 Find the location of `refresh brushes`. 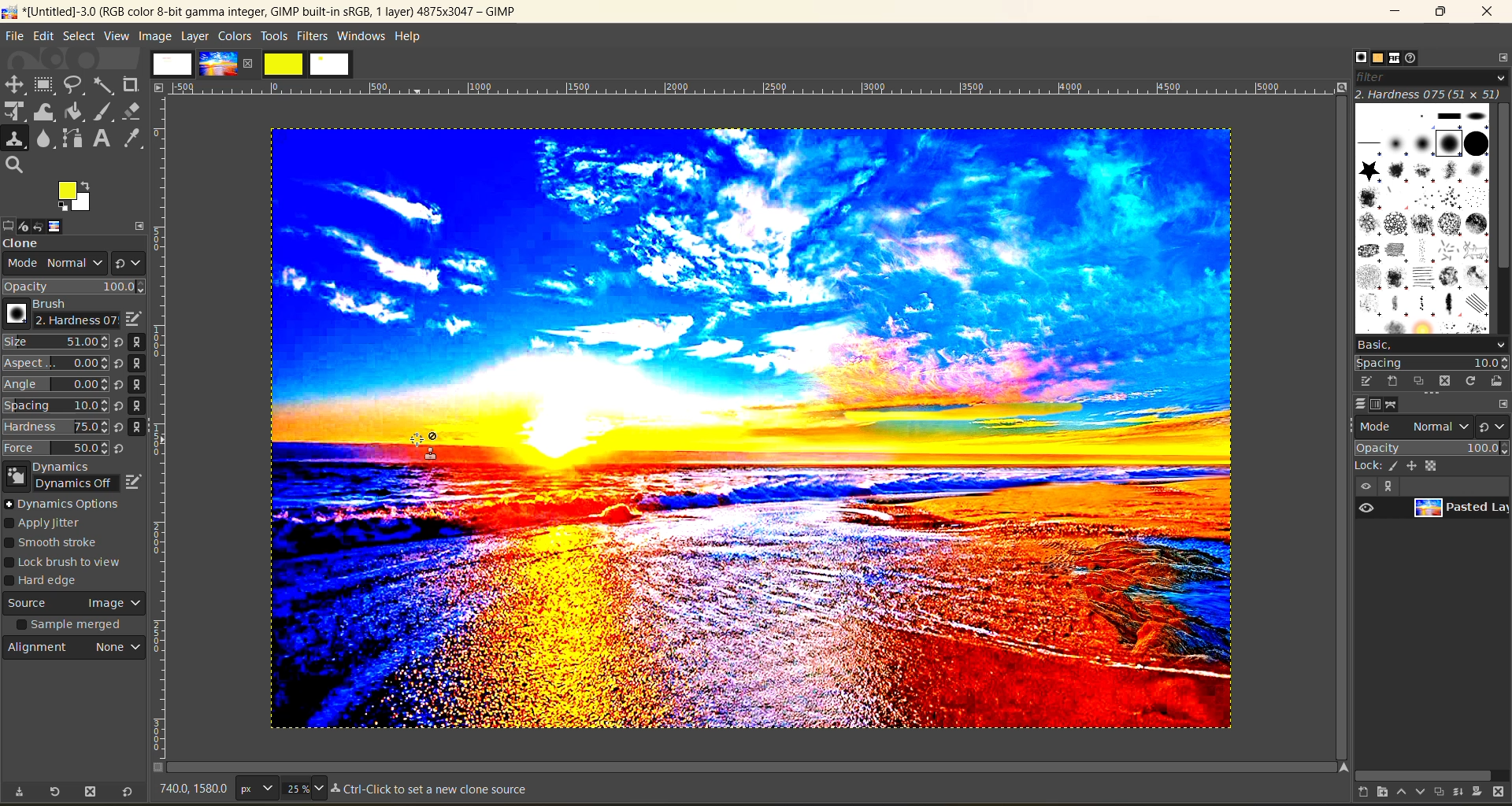

refresh brushes is located at coordinates (1470, 381).